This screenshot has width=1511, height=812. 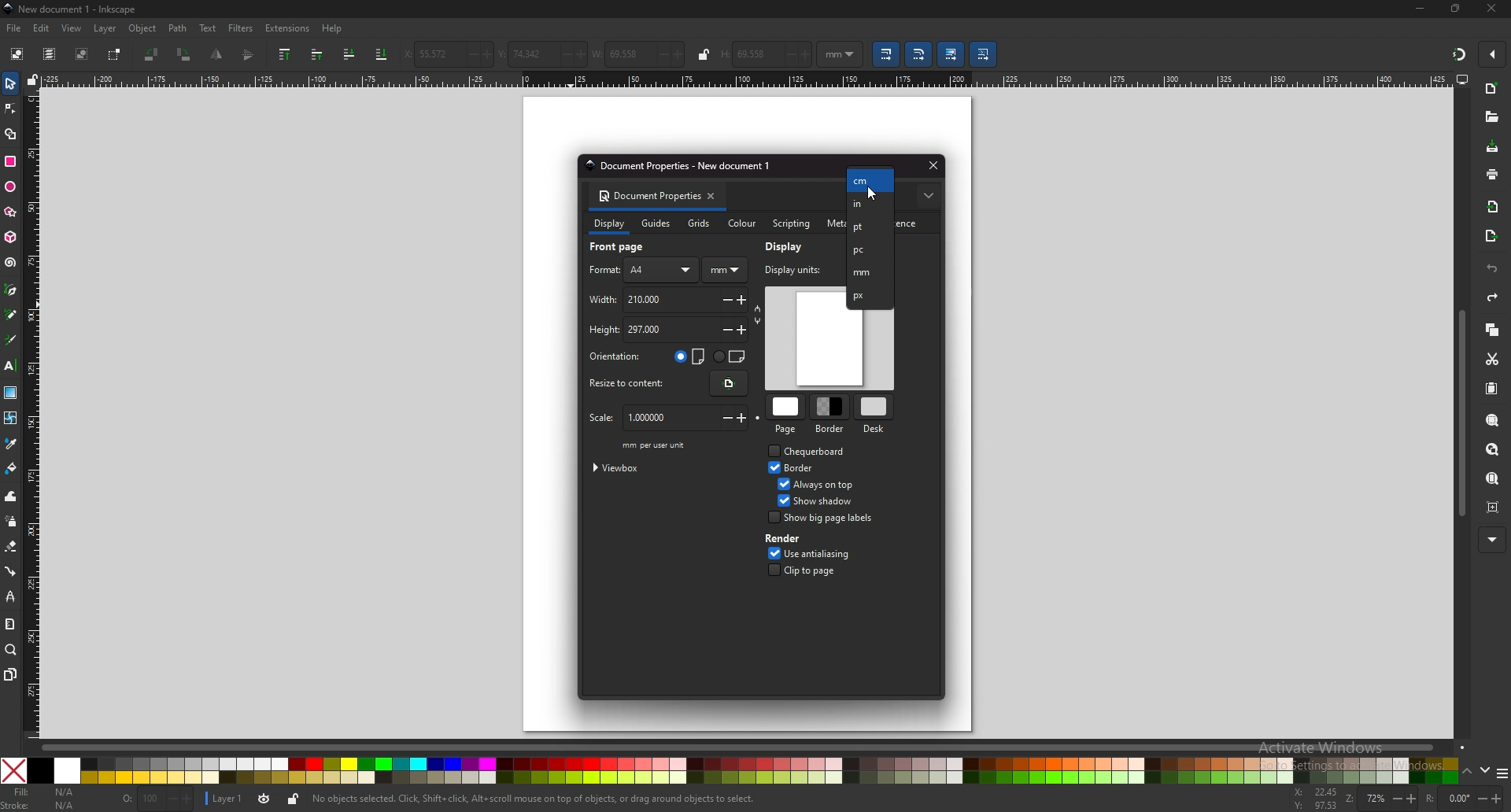 I want to click on page preview, so click(x=829, y=349).